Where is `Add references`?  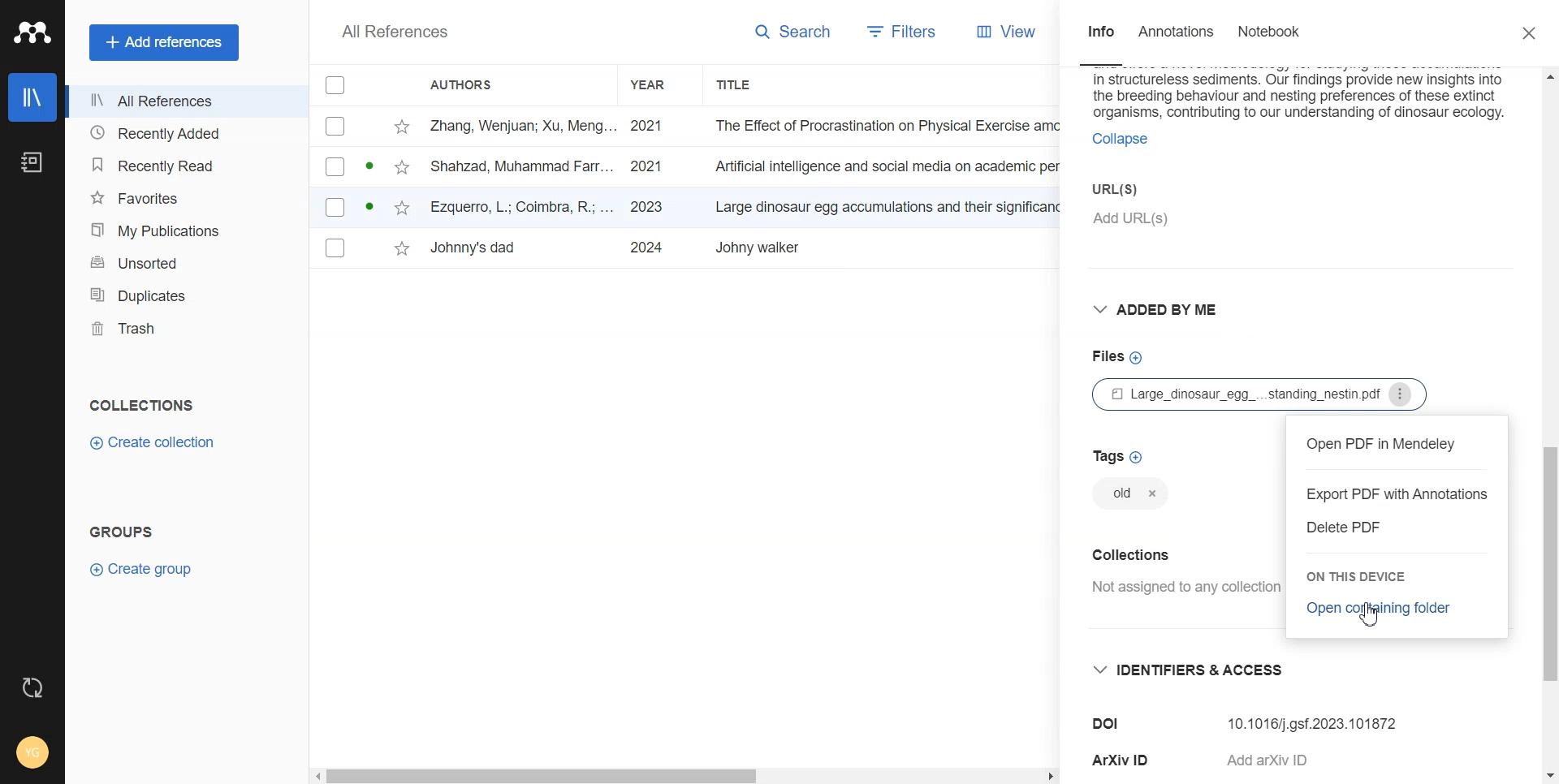 Add references is located at coordinates (165, 43).